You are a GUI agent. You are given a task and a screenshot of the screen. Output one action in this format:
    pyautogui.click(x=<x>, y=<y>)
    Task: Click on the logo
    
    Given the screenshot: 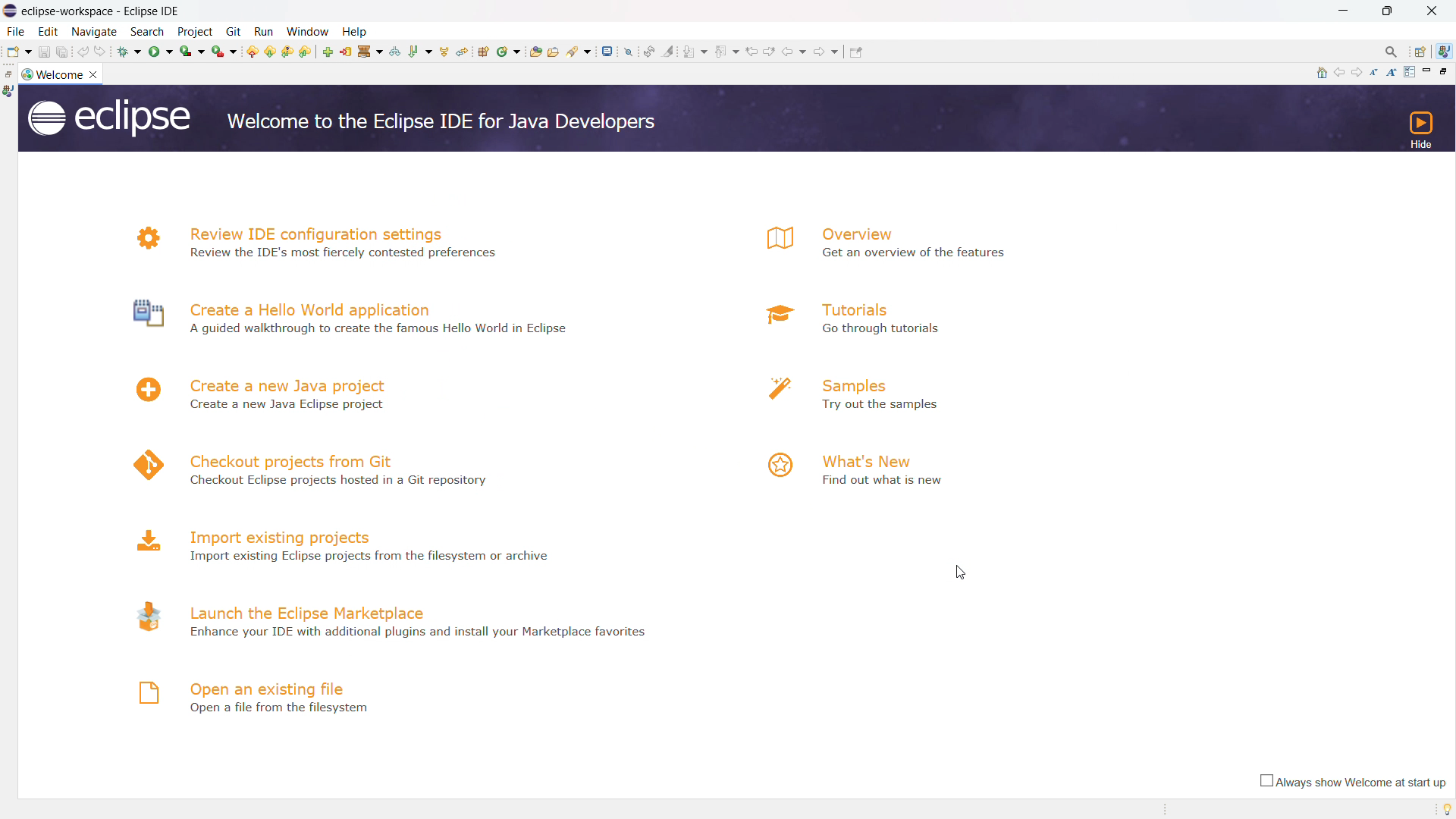 What is the action you would take?
    pyautogui.click(x=770, y=239)
    